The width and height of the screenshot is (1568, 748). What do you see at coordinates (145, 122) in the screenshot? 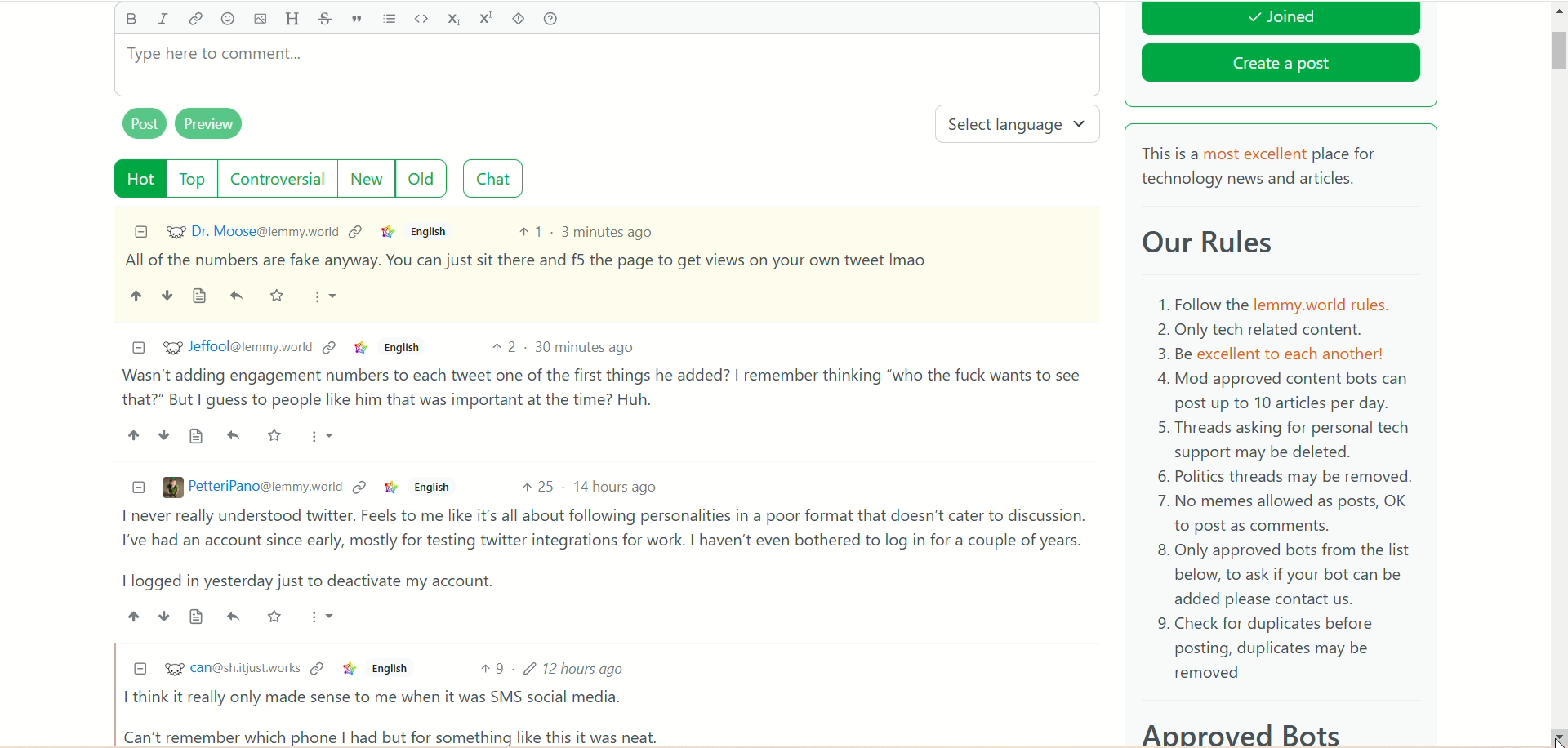
I see `post` at bounding box center [145, 122].